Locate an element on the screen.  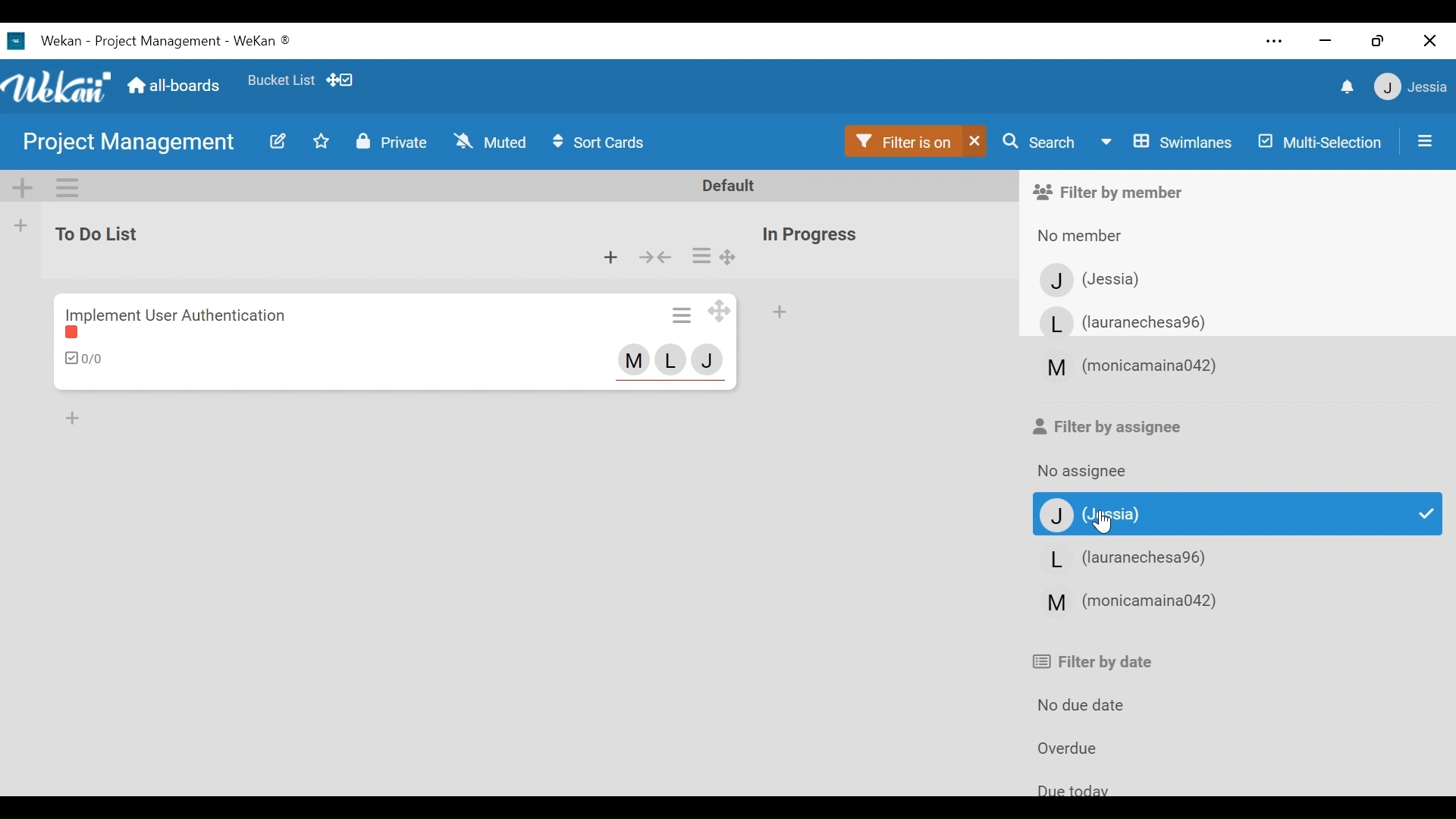
Add Swiimlane is located at coordinates (24, 187).